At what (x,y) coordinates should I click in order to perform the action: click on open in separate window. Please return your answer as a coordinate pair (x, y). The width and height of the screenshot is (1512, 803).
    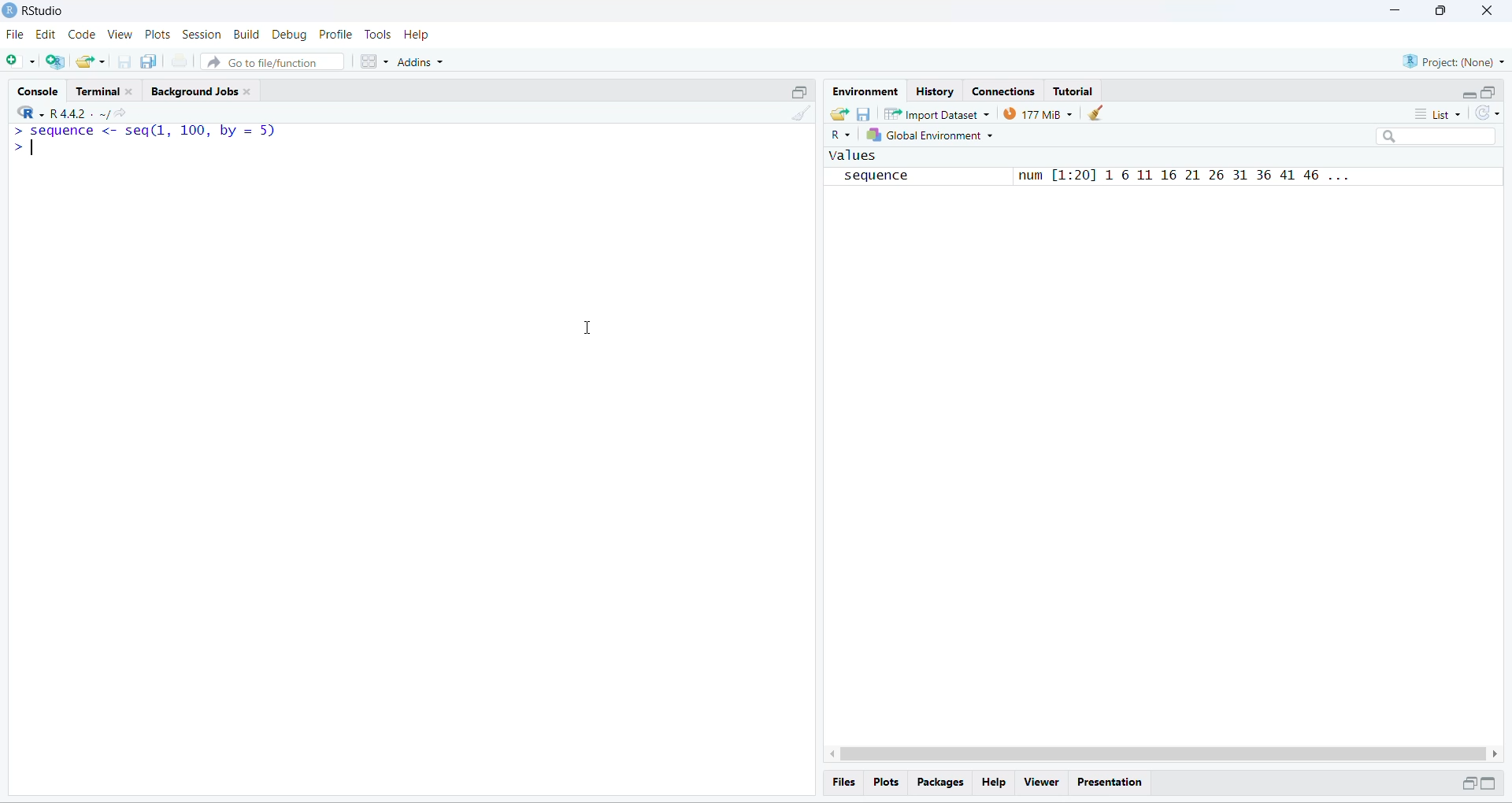
    Looking at the image, I should click on (801, 92).